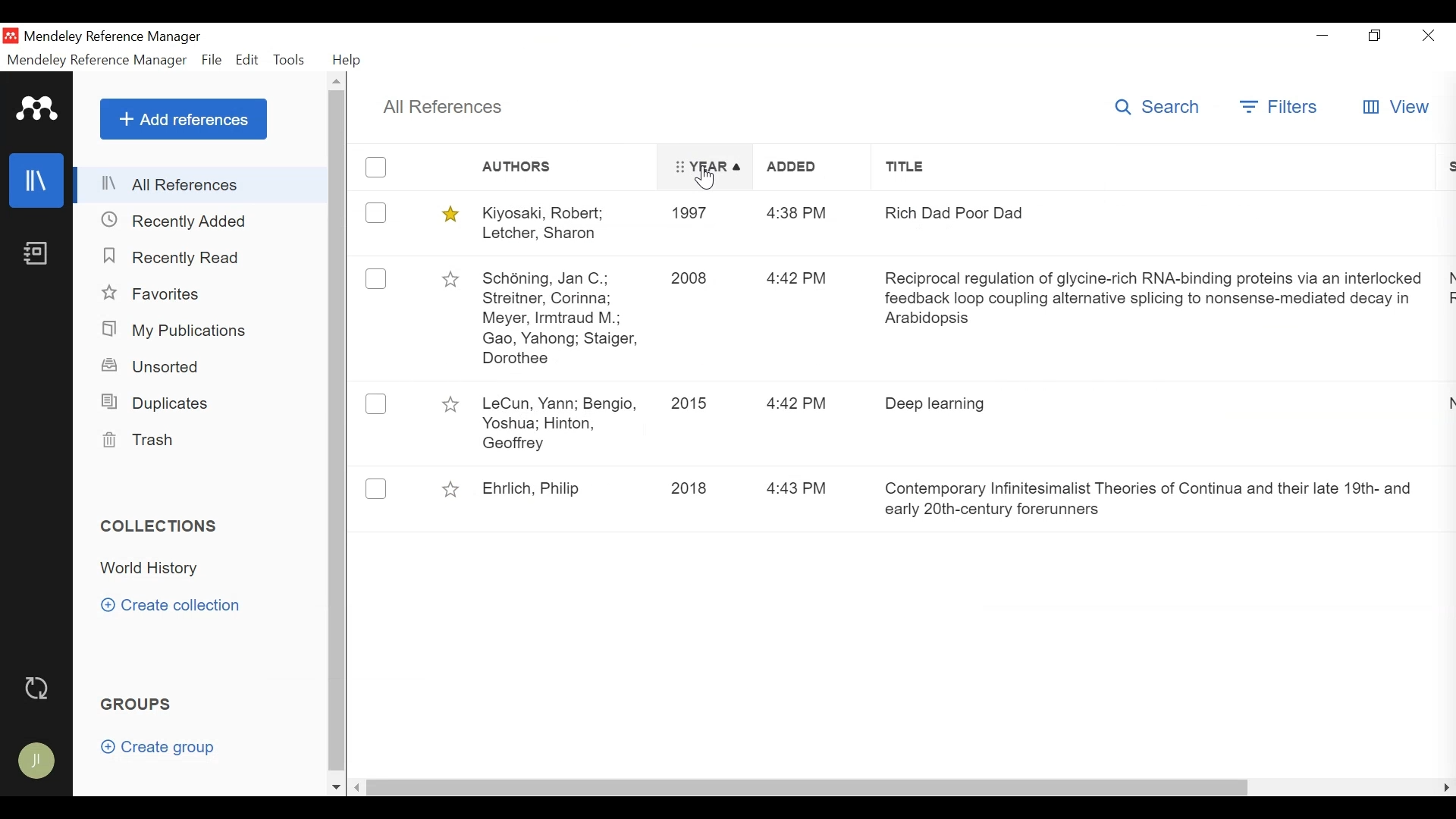 This screenshot has width=1456, height=819. I want to click on Search, so click(1161, 107).